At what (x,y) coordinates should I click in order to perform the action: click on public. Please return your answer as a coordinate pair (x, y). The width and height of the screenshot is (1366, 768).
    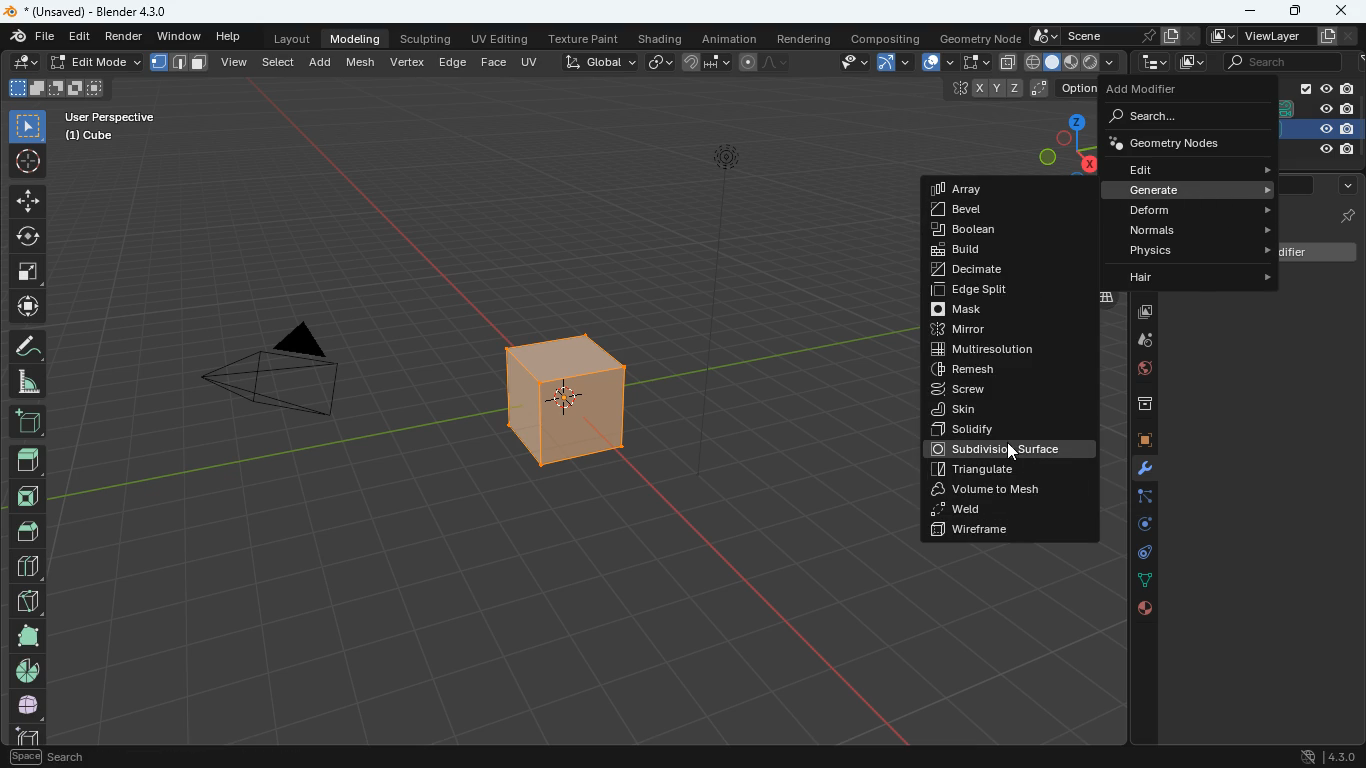
    Looking at the image, I should click on (1146, 611).